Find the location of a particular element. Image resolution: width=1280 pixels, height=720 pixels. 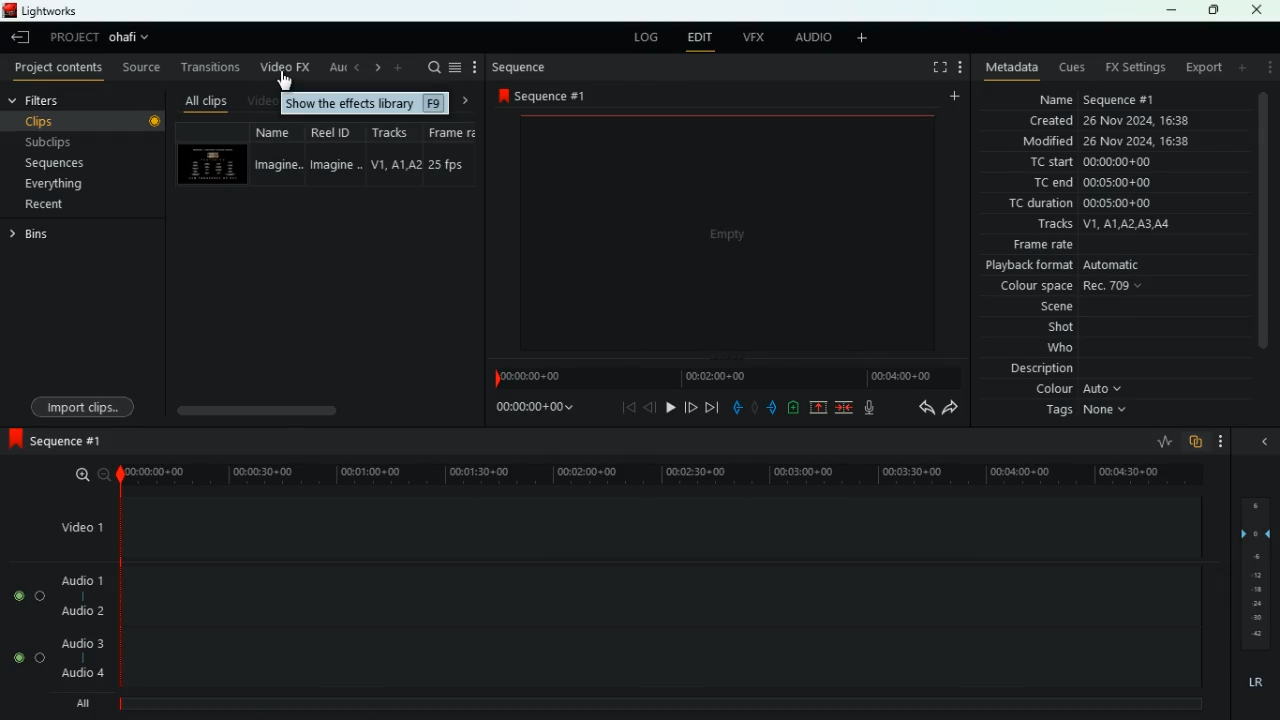

sequence is located at coordinates (75, 441).